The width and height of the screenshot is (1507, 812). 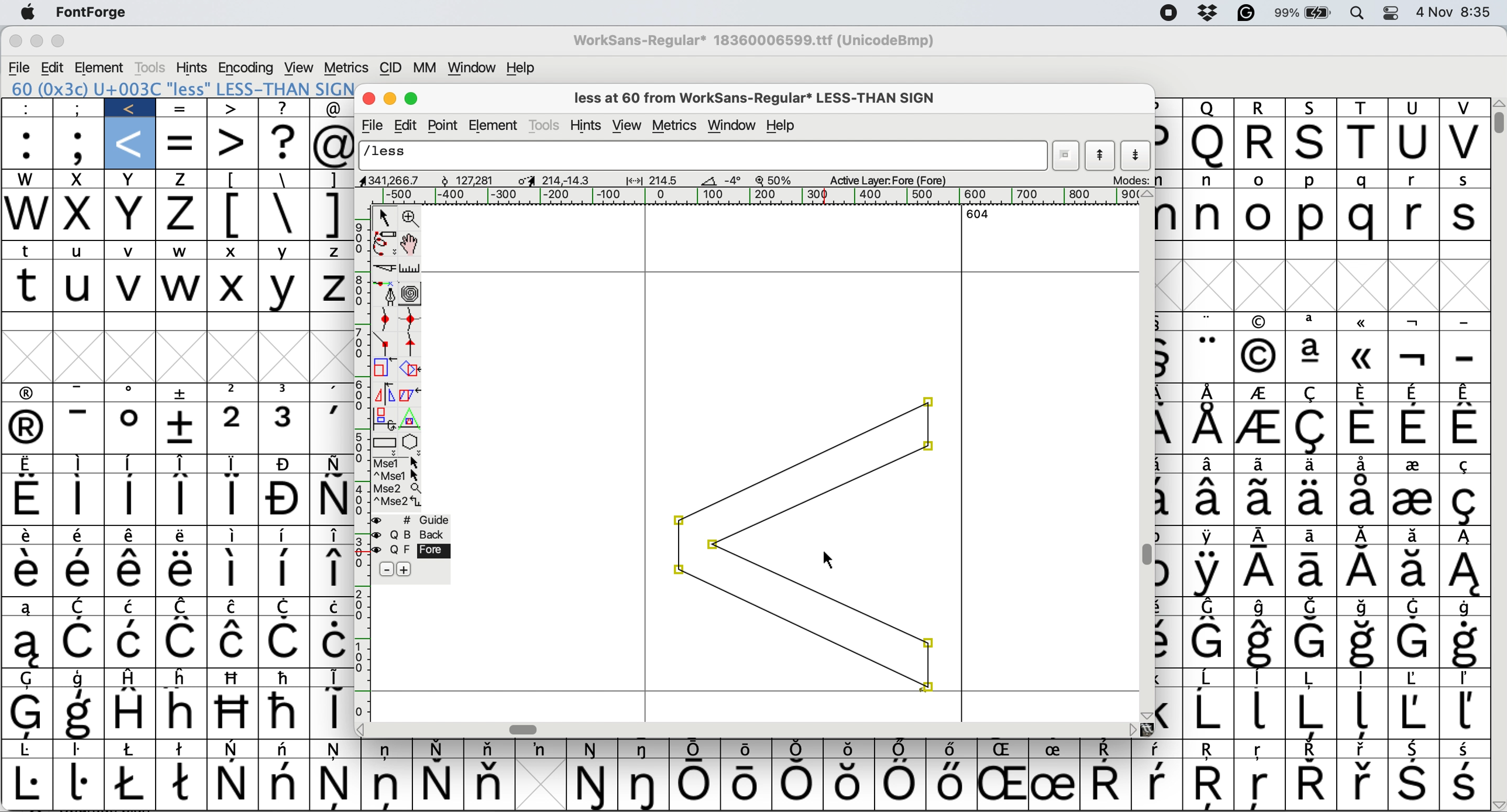 I want to click on Symbol, so click(x=747, y=785).